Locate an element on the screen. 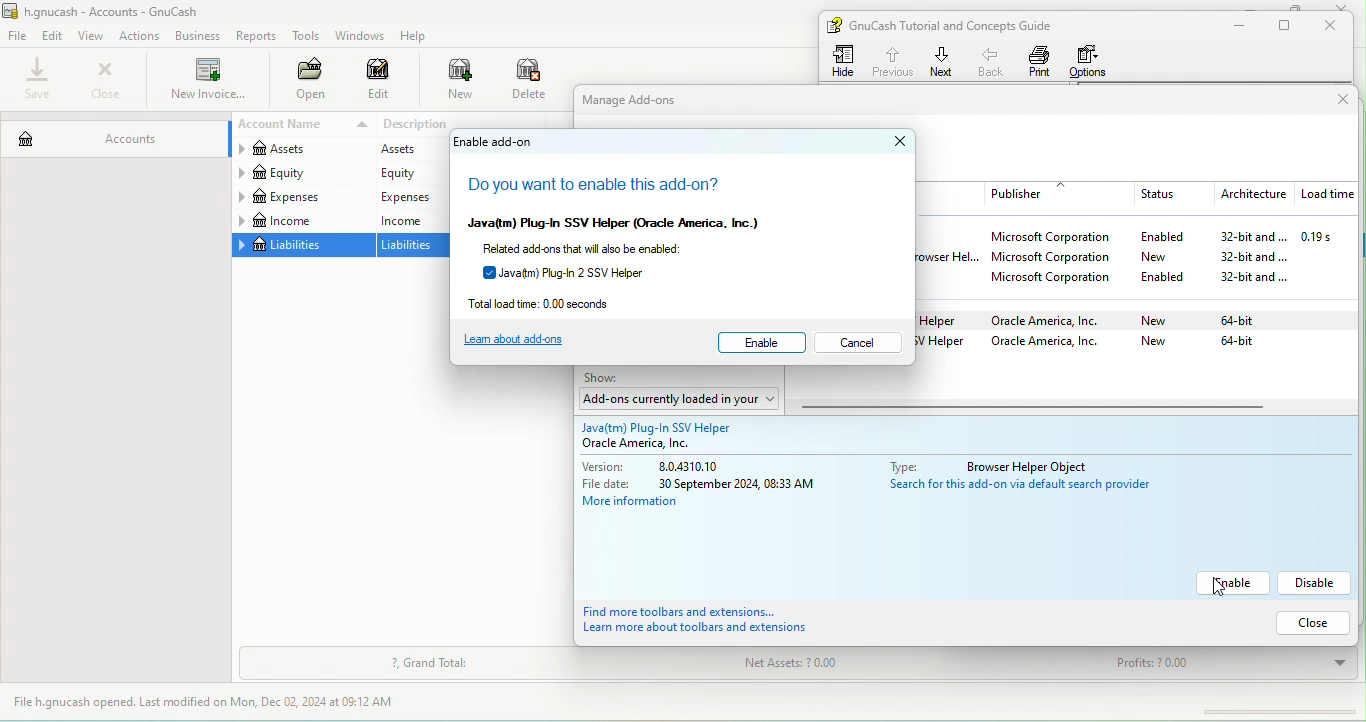 The height and width of the screenshot is (722, 1366). view is located at coordinates (94, 36).